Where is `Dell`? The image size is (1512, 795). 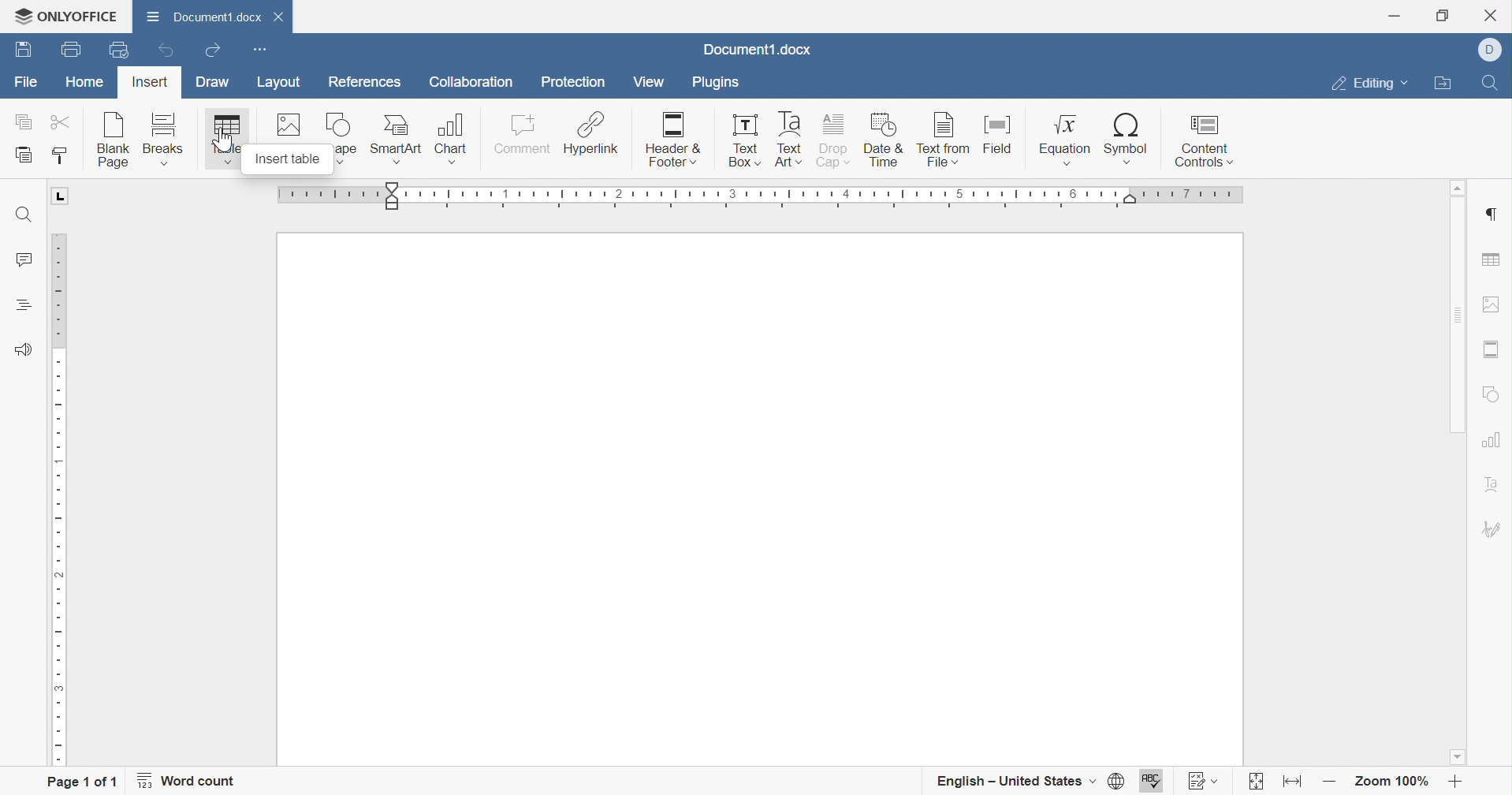
Dell is located at coordinates (1490, 51).